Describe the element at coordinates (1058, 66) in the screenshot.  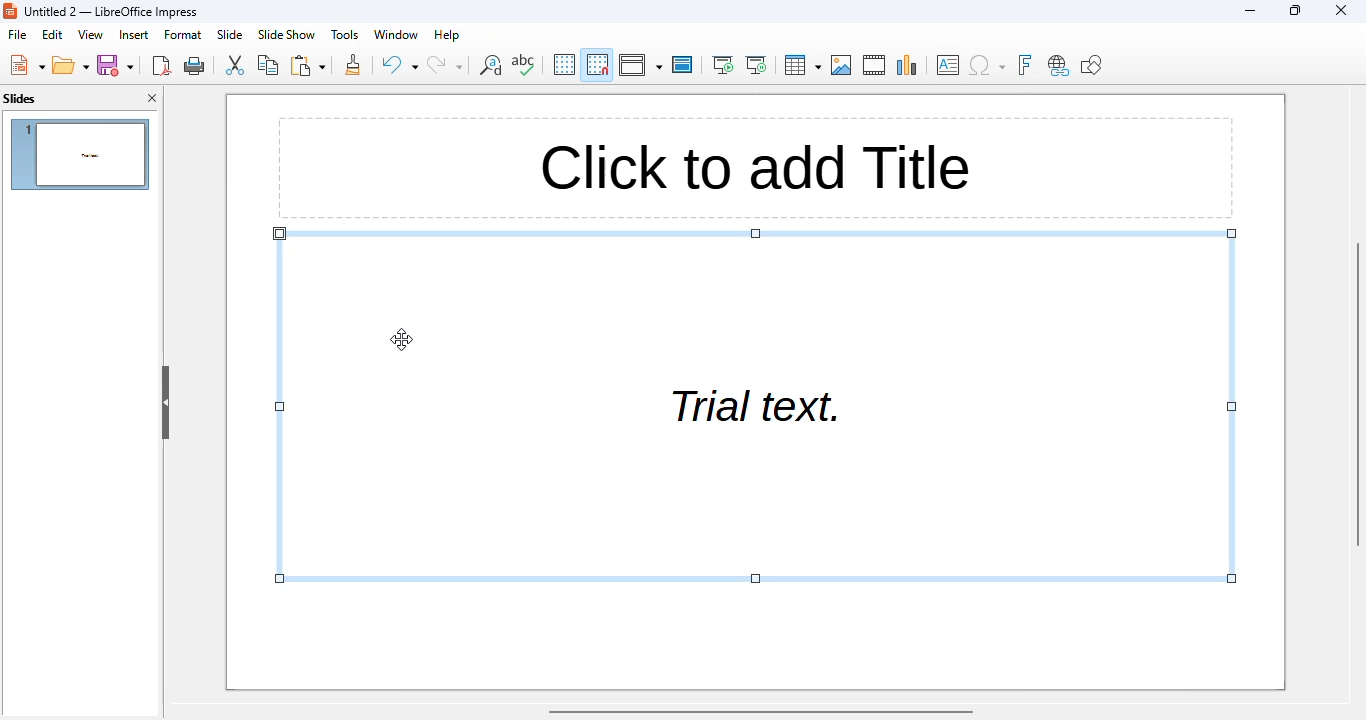
I see `insert hyperlink` at that location.